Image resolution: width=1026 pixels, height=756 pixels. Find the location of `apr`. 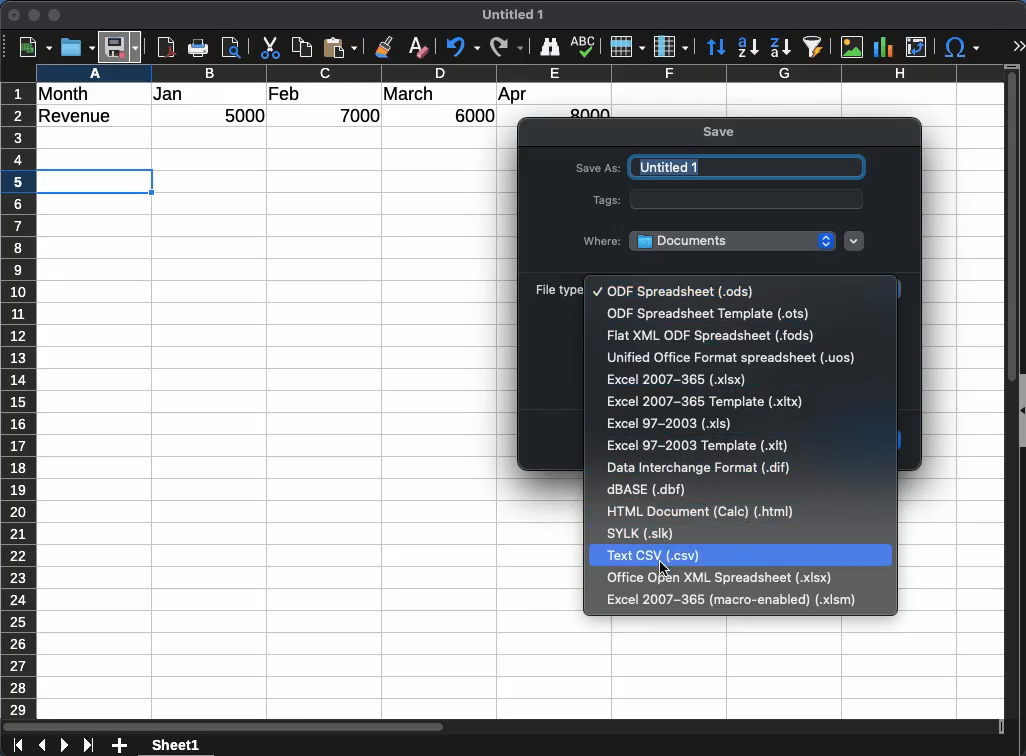

apr is located at coordinates (514, 96).